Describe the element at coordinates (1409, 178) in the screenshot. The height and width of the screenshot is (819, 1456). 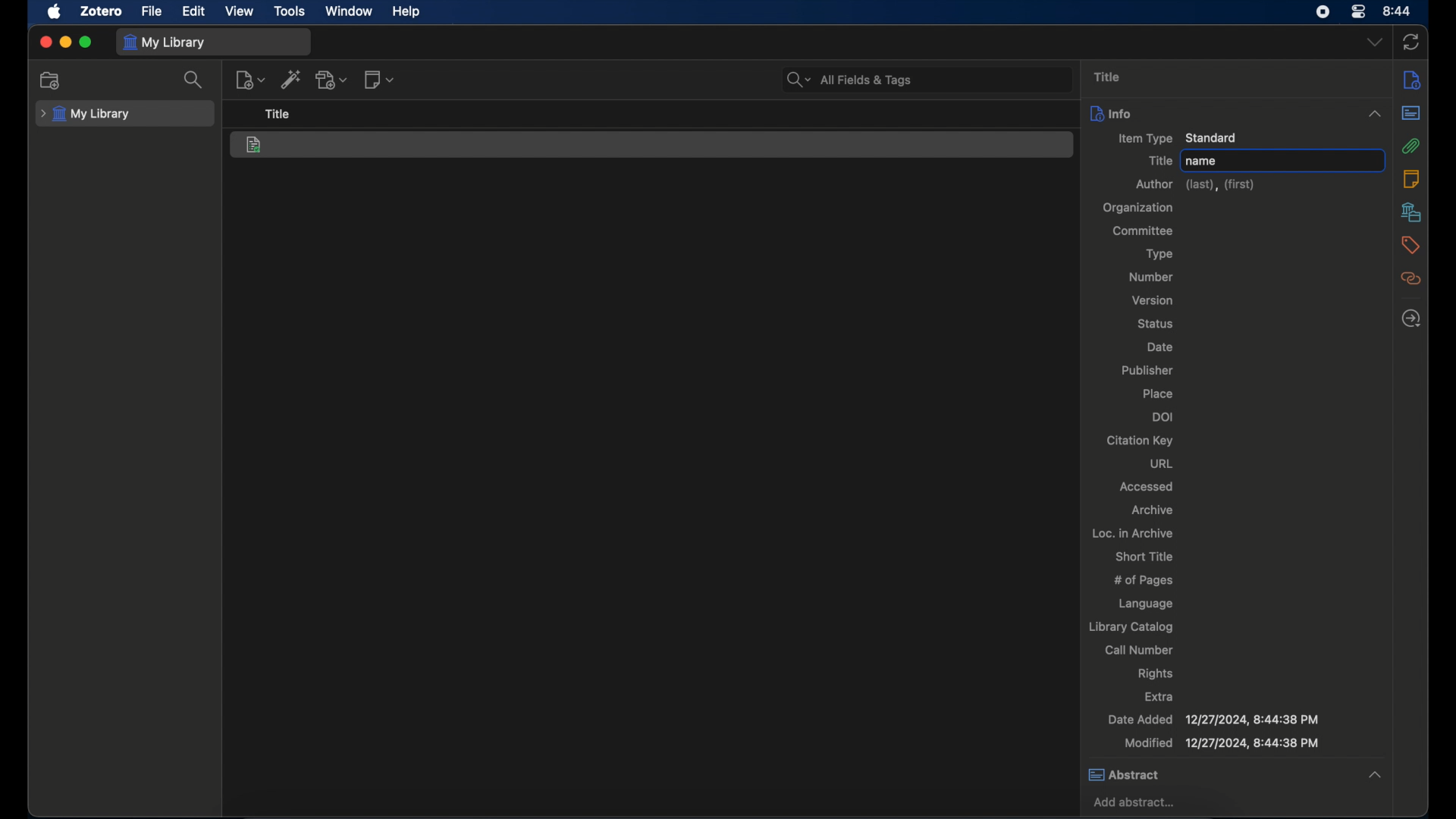
I see `notes` at that location.